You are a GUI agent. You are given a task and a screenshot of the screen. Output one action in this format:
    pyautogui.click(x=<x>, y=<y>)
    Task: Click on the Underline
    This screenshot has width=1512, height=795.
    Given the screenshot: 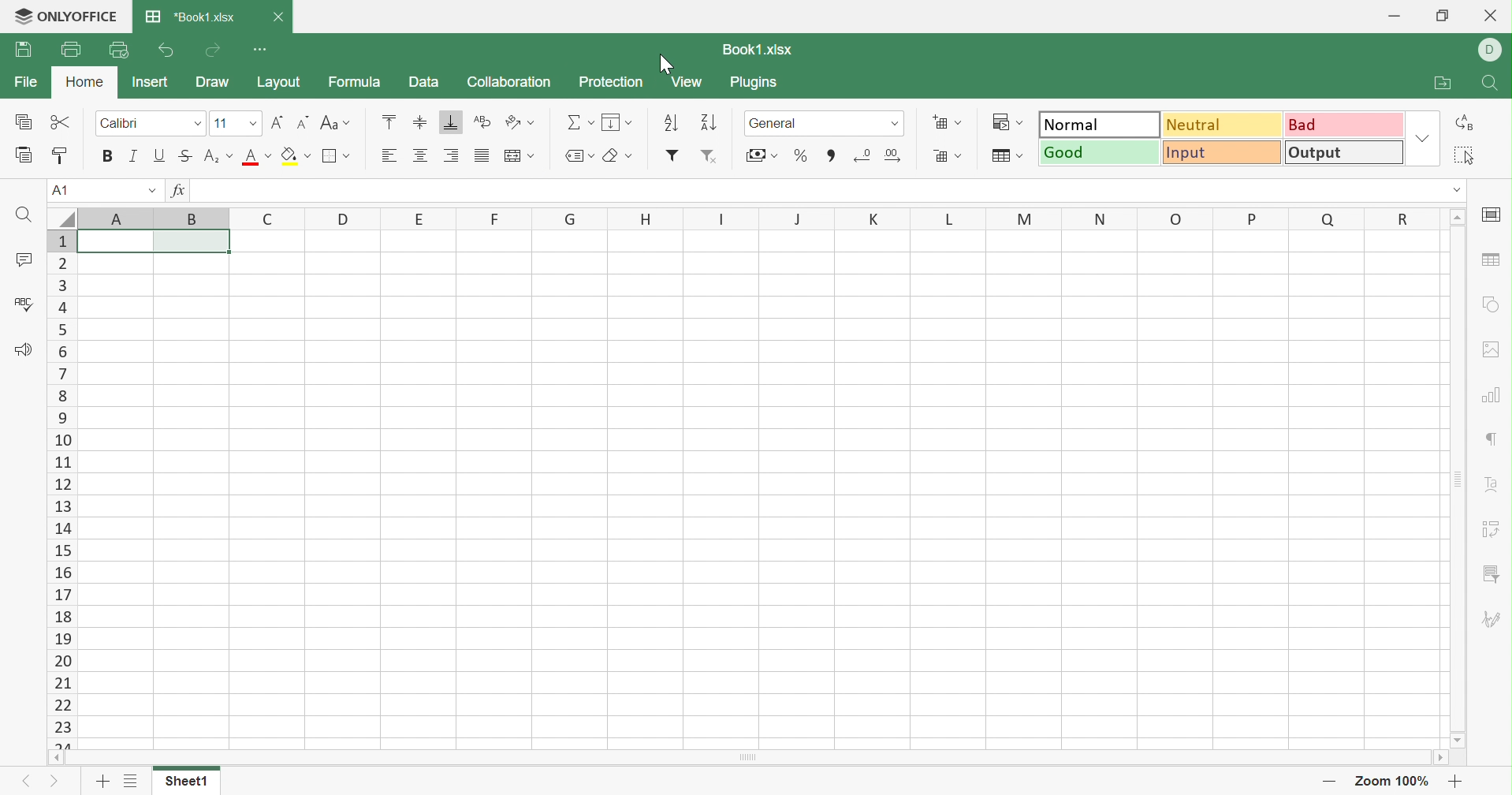 What is the action you would take?
    pyautogui.click(x=160, y=157)
    